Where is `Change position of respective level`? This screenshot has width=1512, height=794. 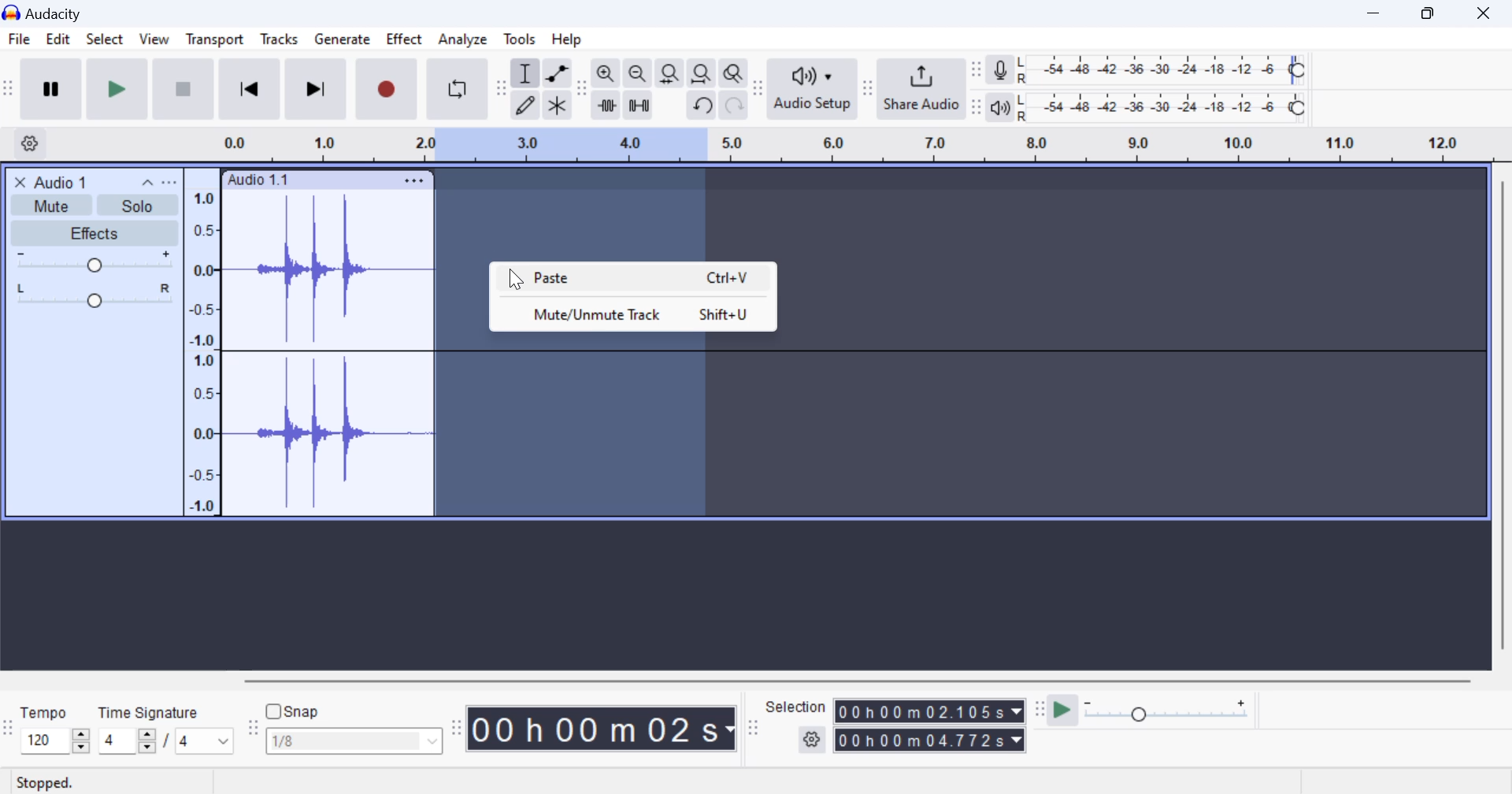
Change position of respective level is located at coordinates (977, 88).